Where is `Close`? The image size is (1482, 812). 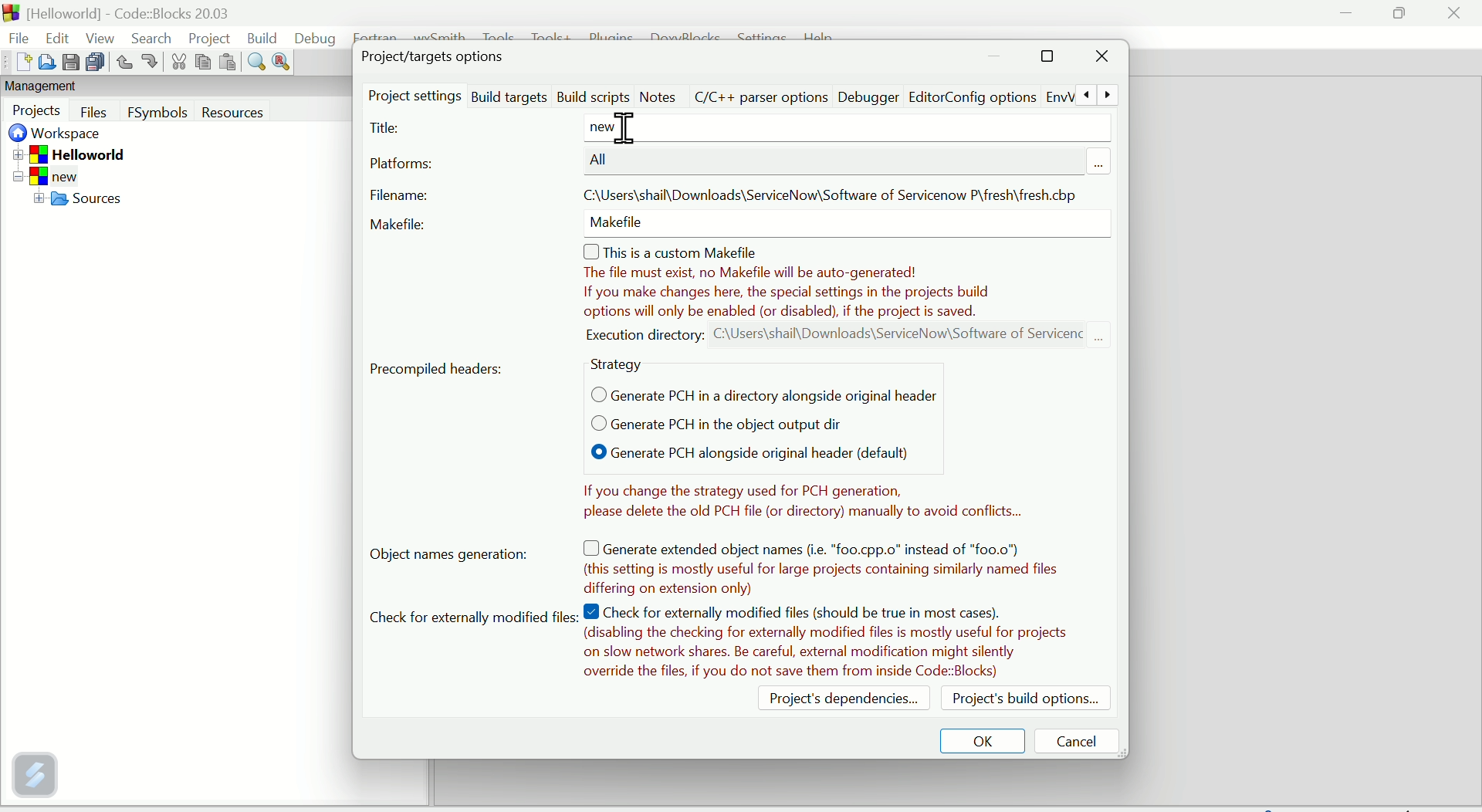 Close is located at coordinates (1453, 18).